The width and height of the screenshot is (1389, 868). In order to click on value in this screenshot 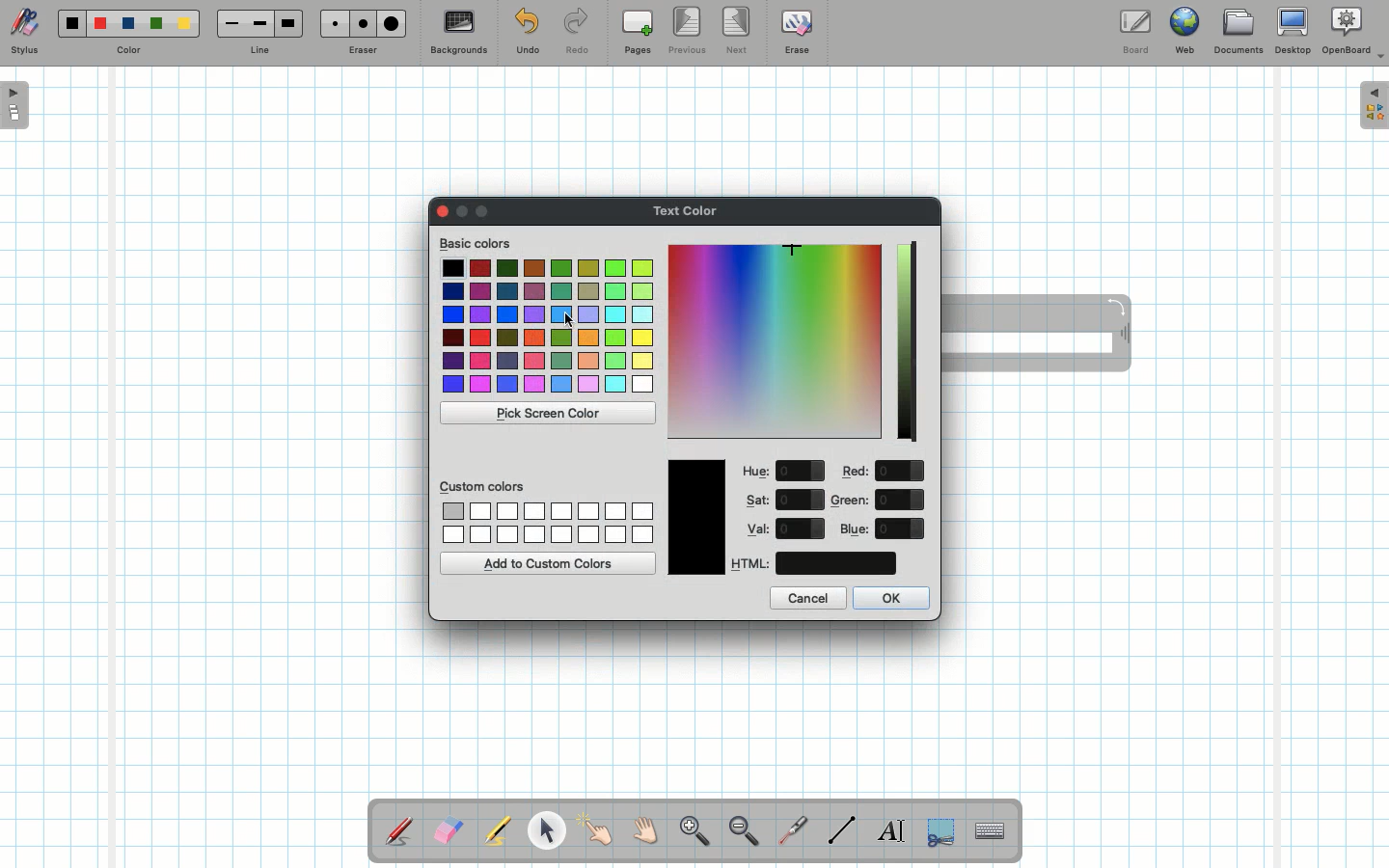, I will do `click(900, 529)`.